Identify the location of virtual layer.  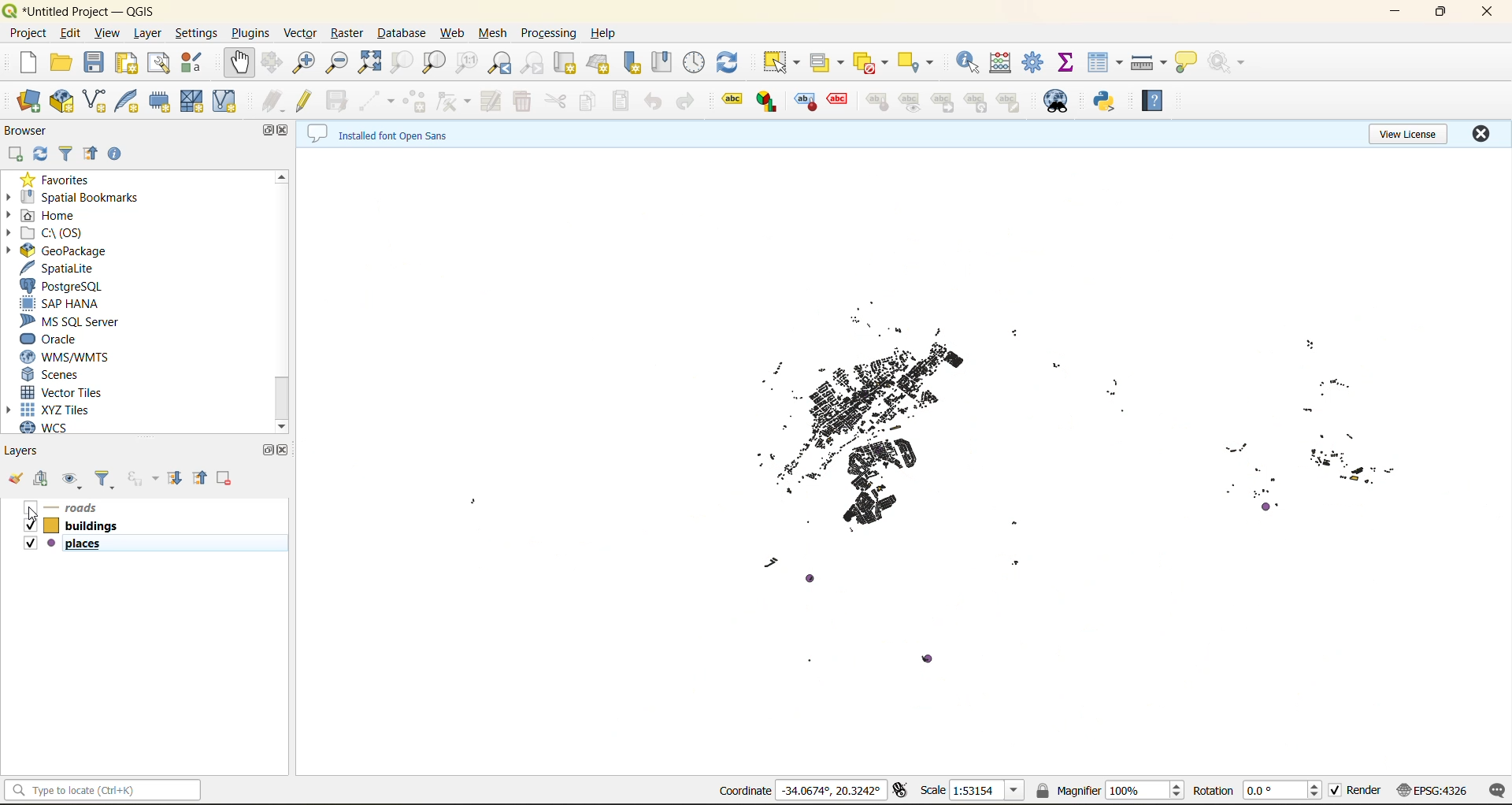
(224, 101).